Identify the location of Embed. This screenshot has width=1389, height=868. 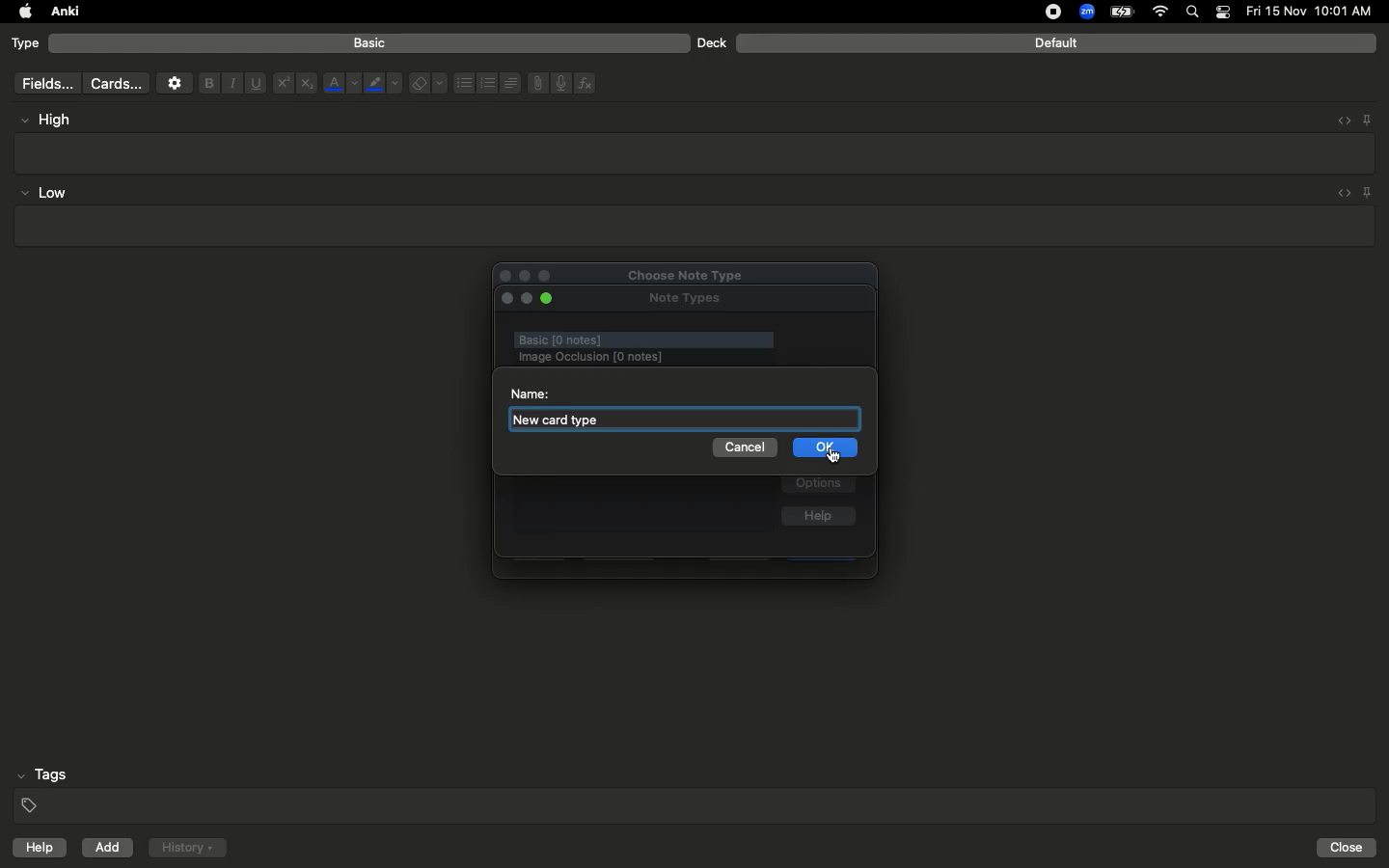
(1340, 194).